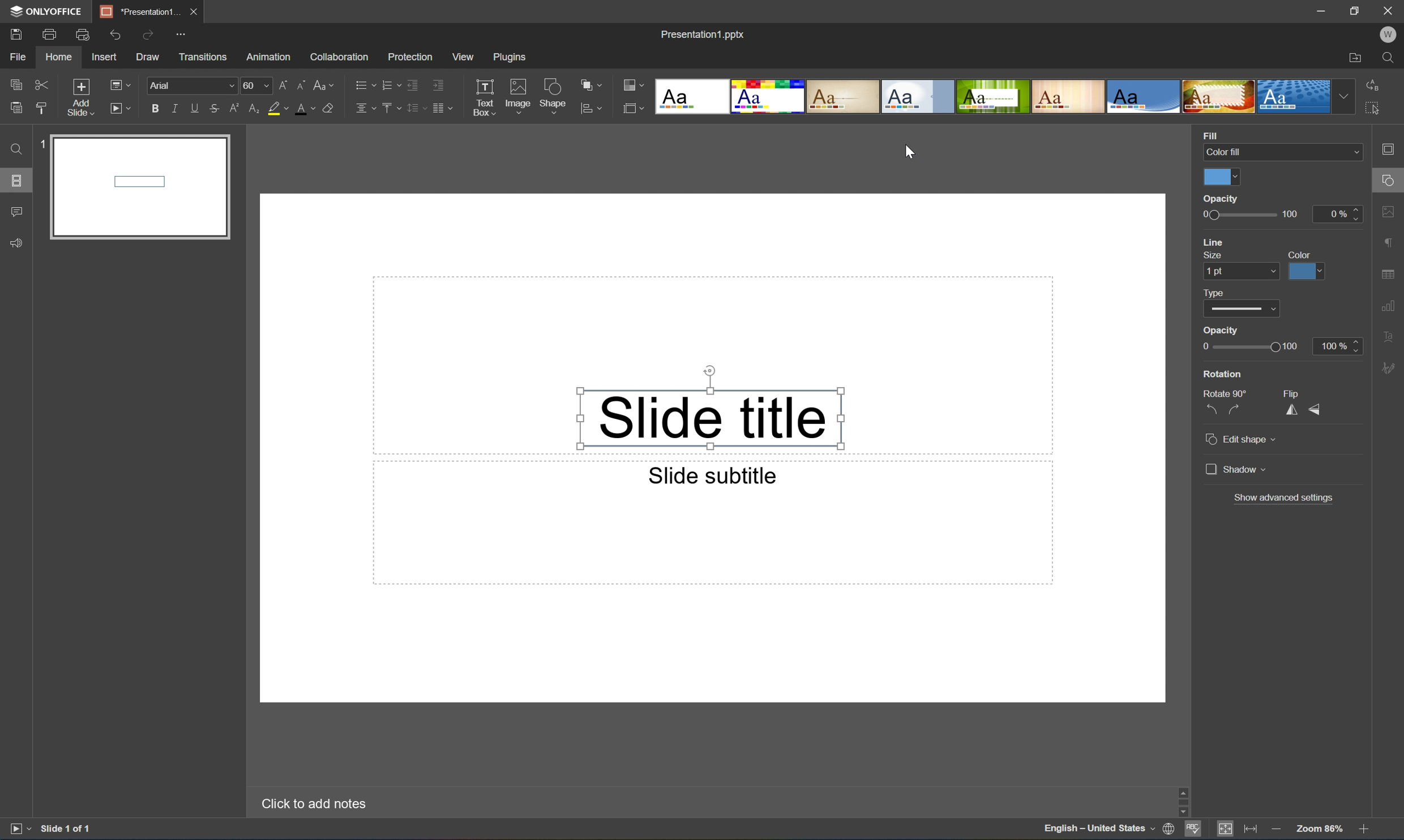 This screenshot has width=1404, height=840. Describe the element at coordinates (1236, 469) in the screenshot. I see `Shadow` at that location.